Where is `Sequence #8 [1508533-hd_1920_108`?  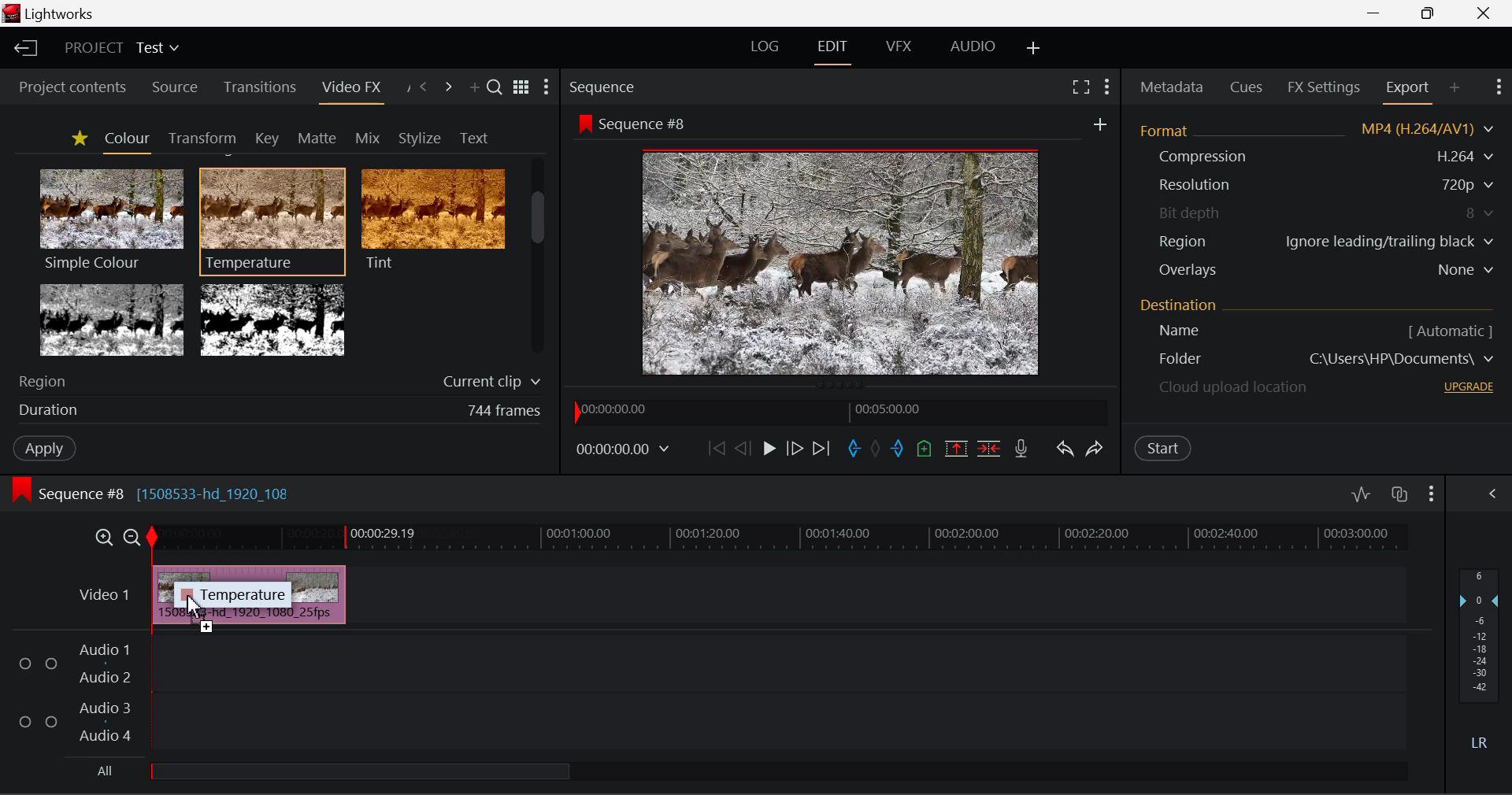
Sequence #8 [1508533-hd_1920_108 is located at coordinates (169, 490).